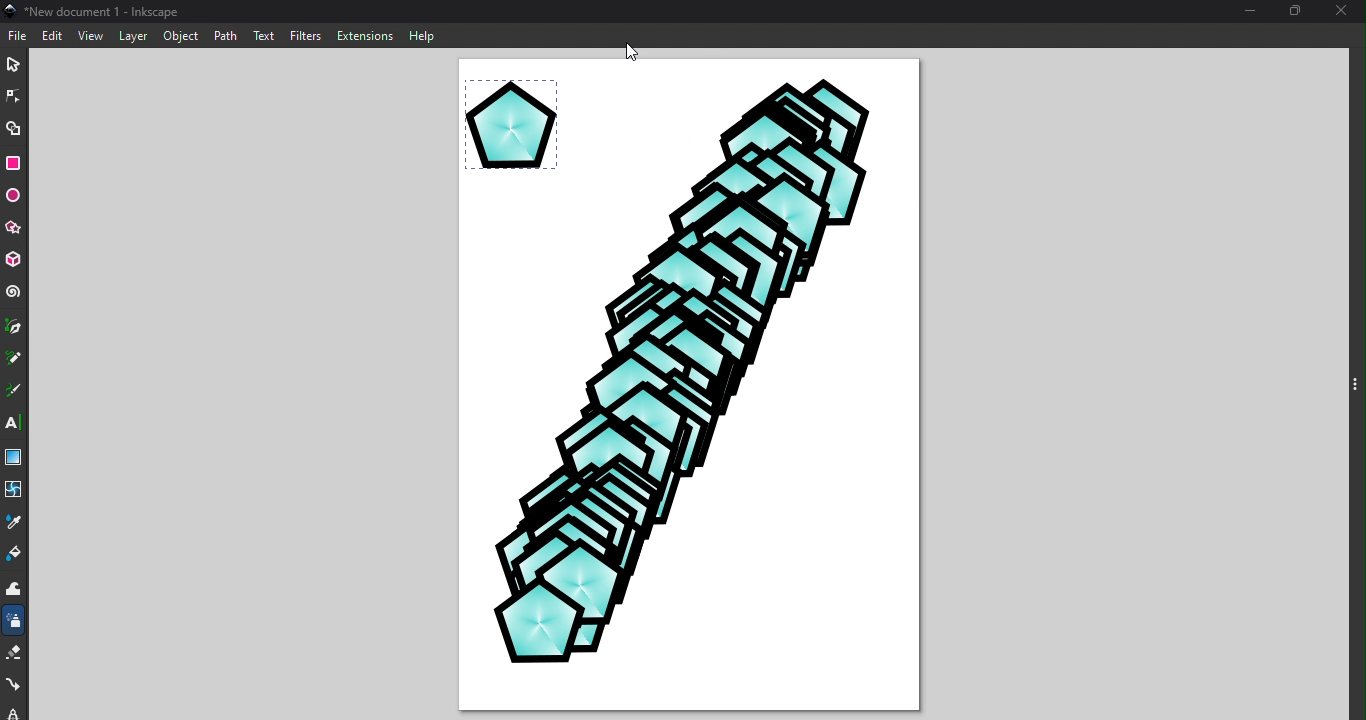 This screenshot has height=720, width=1366. Describe the element at coordinates (17, 229) in the screenshot. I see `Star/polygon tool` at that location.